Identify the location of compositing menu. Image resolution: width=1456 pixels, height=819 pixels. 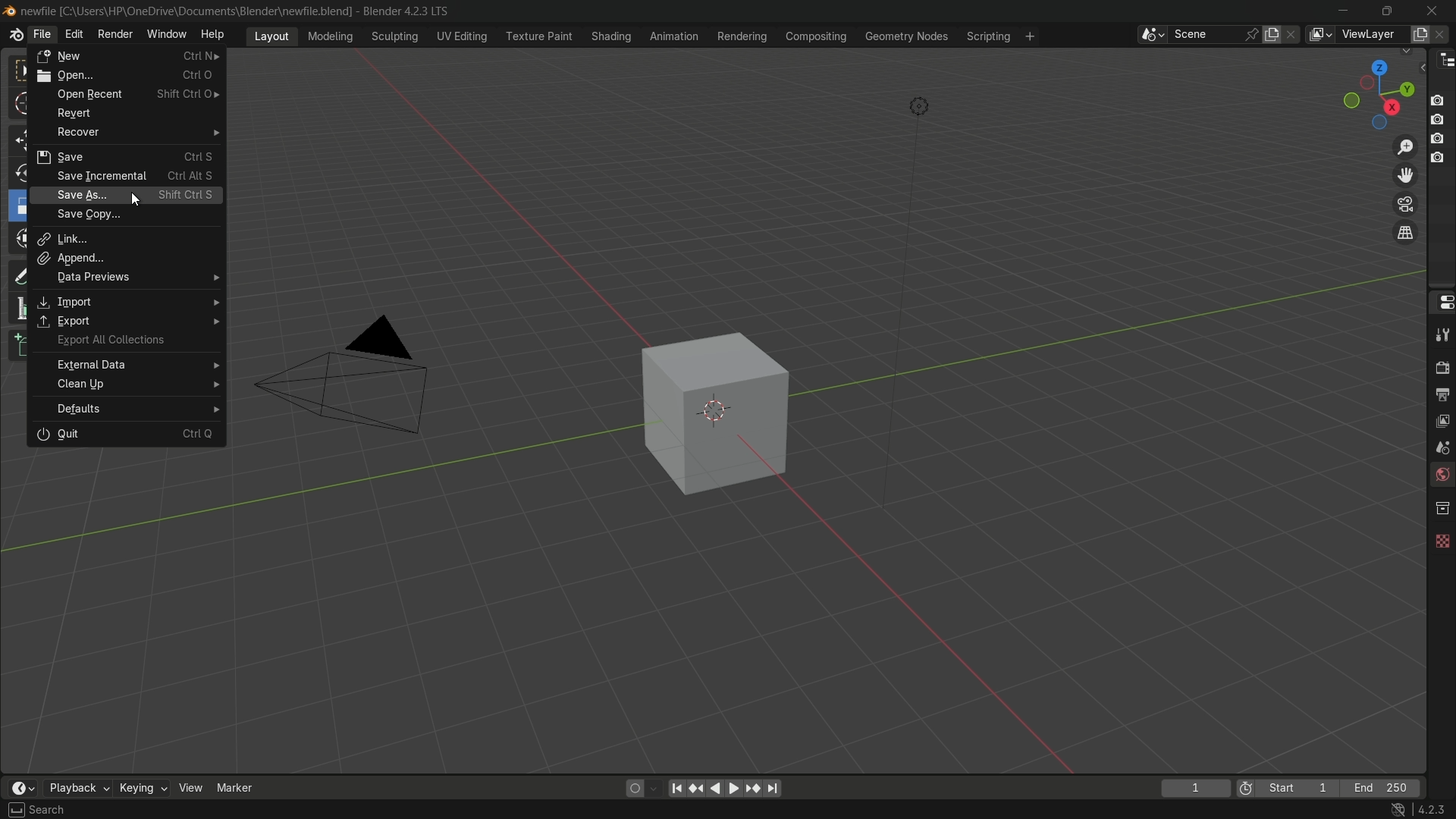
(817, 36).